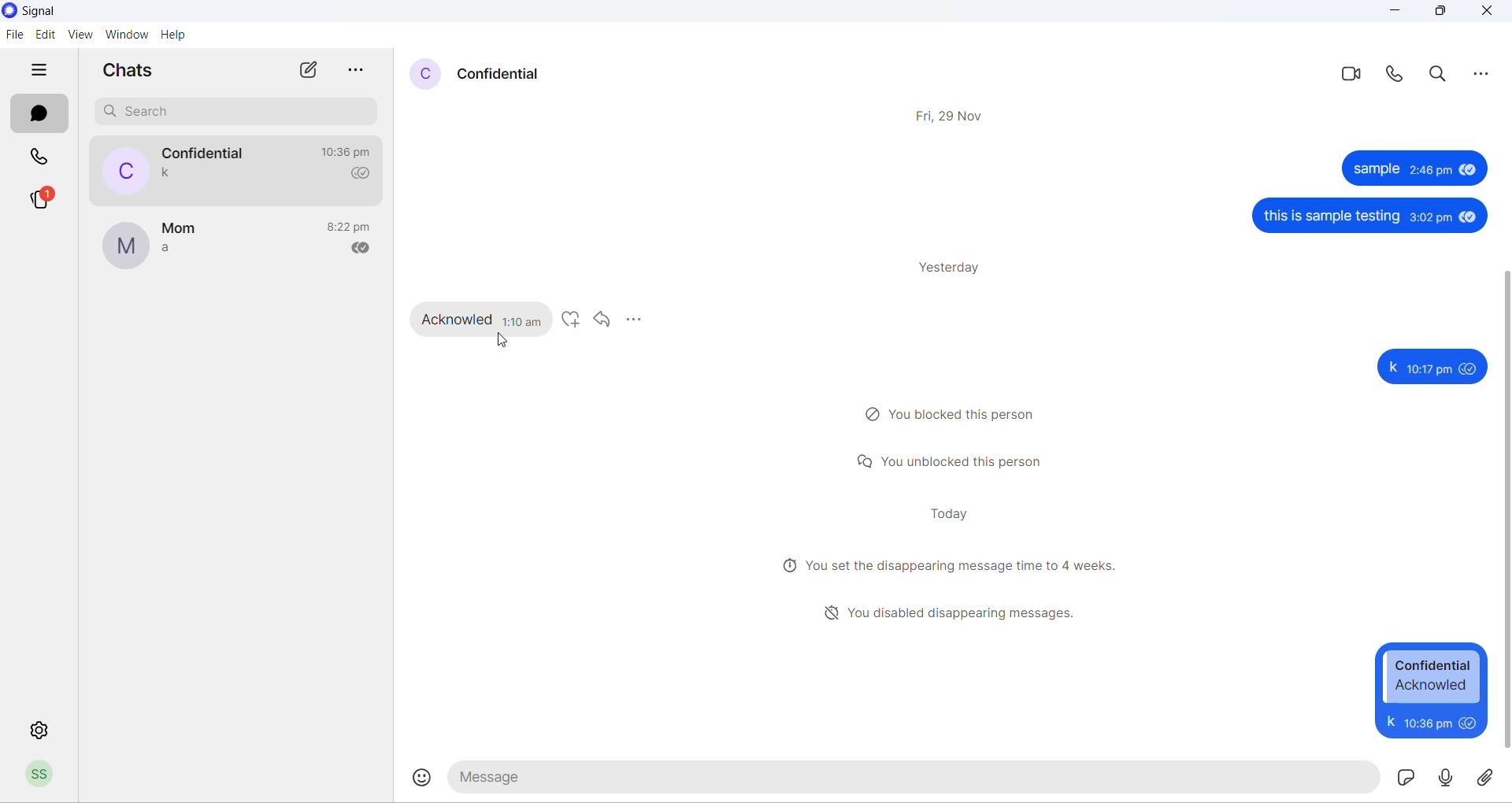  I want to click on disappearing messages notification, so click(946, 568).